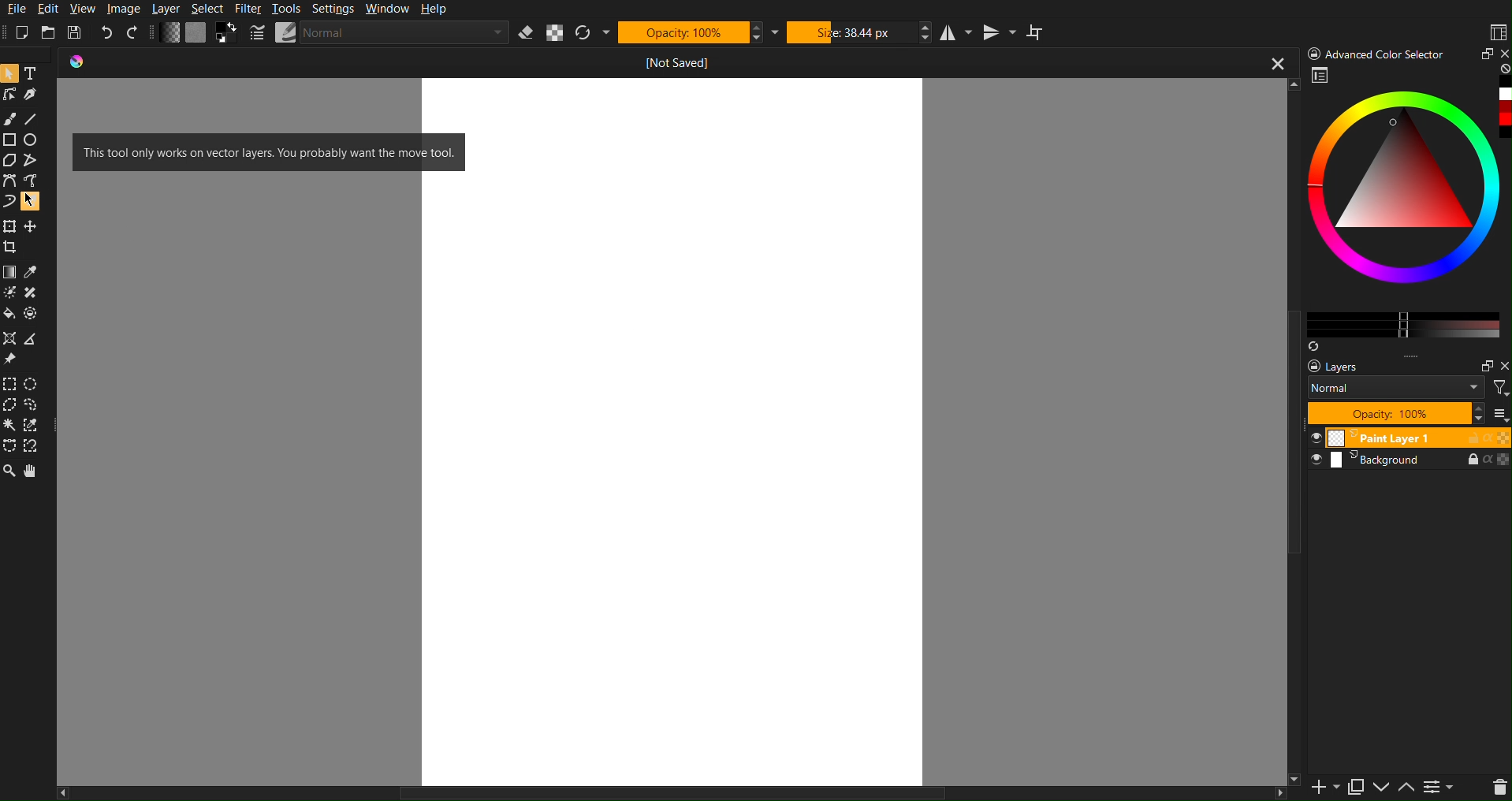 The height and width of the screenshot is (801, 1512). What do you see at coordinates (1481, 363) in the screenshot?
I see `minimize` at bounding box center [1481, 363].